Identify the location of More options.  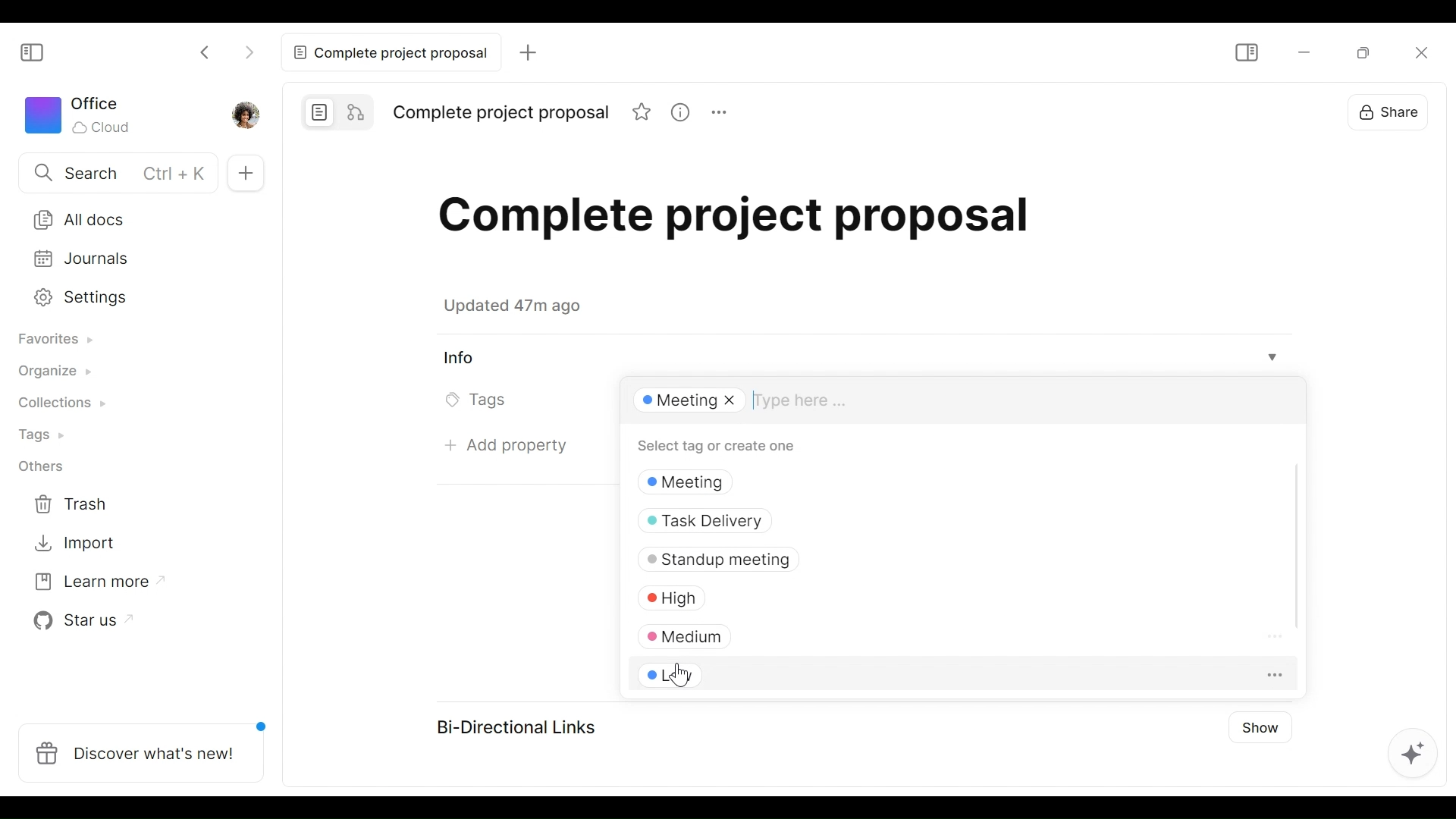
(1275, 639).